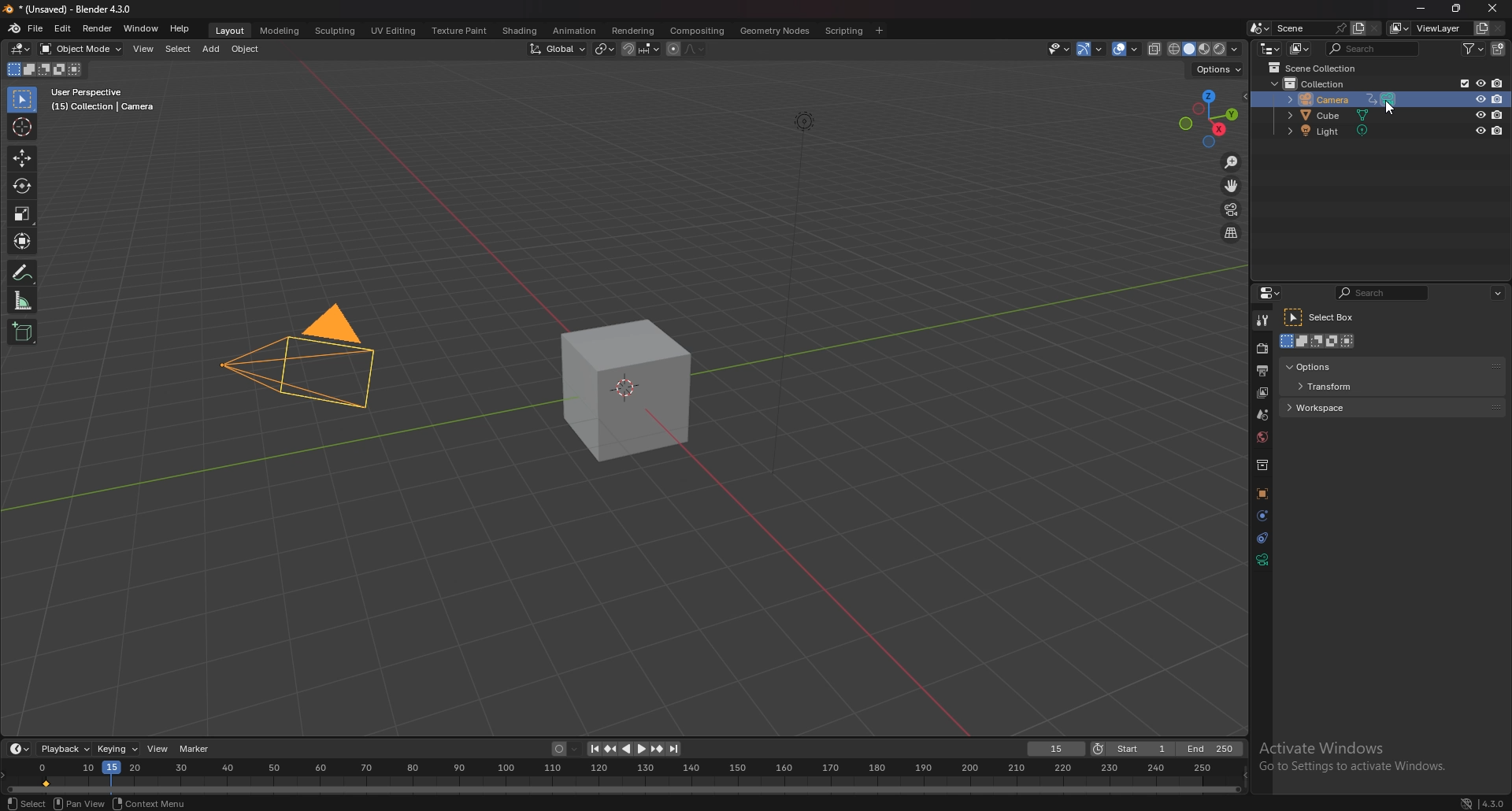  What do you see at coordinates (37, 29) in the screenshot?
I see `file` at bounding box center [37, 29].